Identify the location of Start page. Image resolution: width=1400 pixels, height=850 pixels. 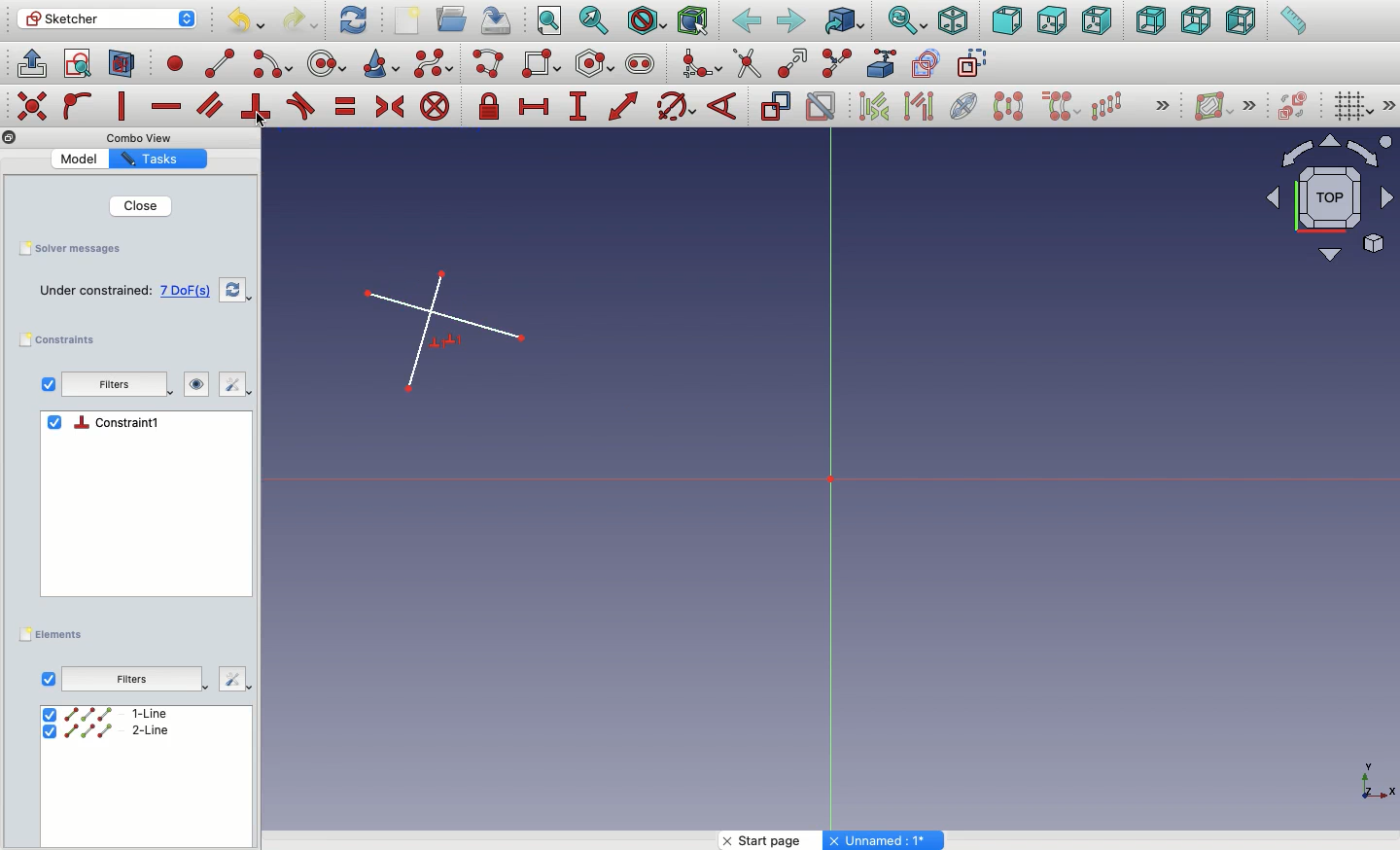
(772, 840).